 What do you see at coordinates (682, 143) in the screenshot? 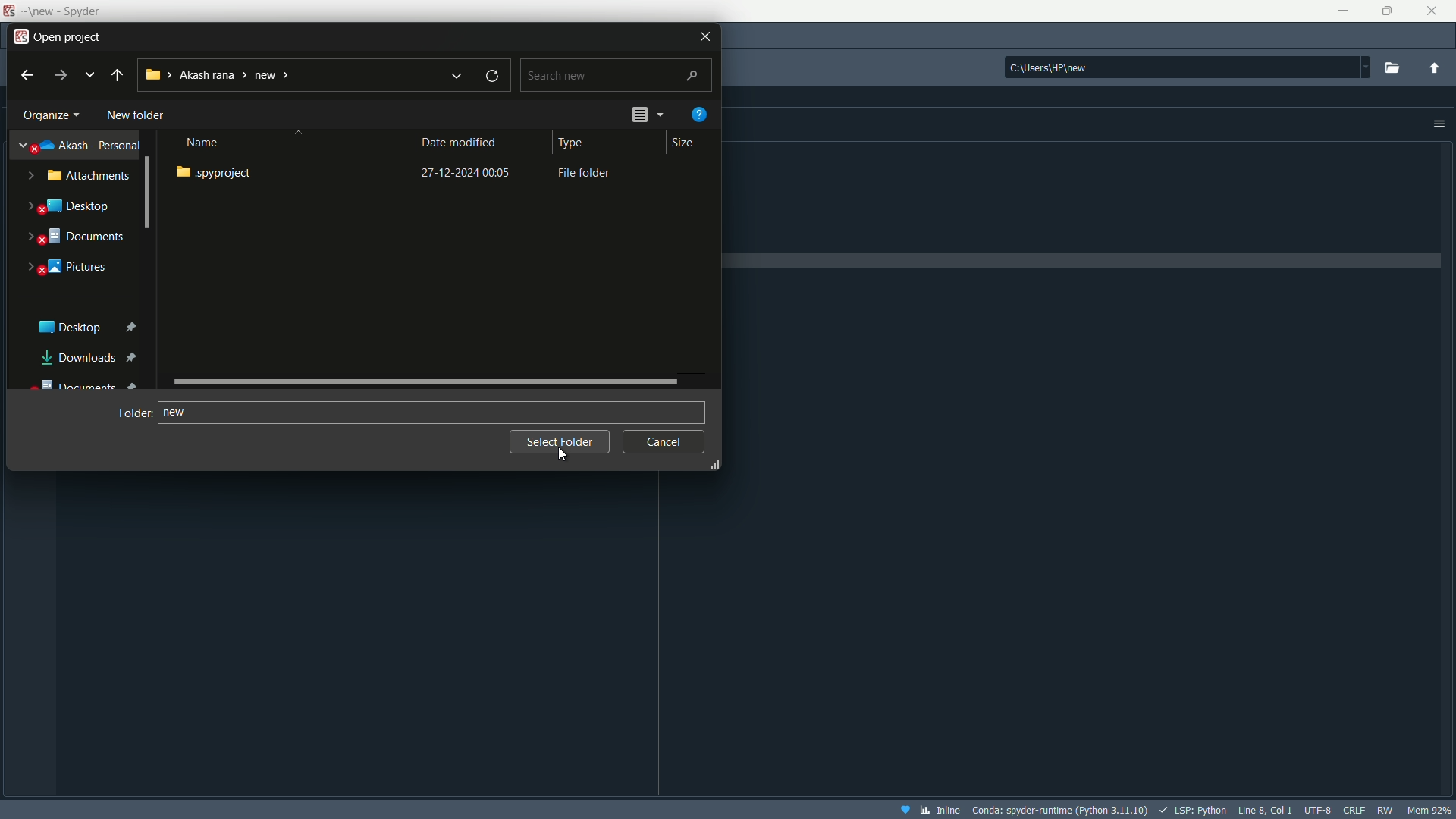
I see `size.` at bounding box center [682, 143].